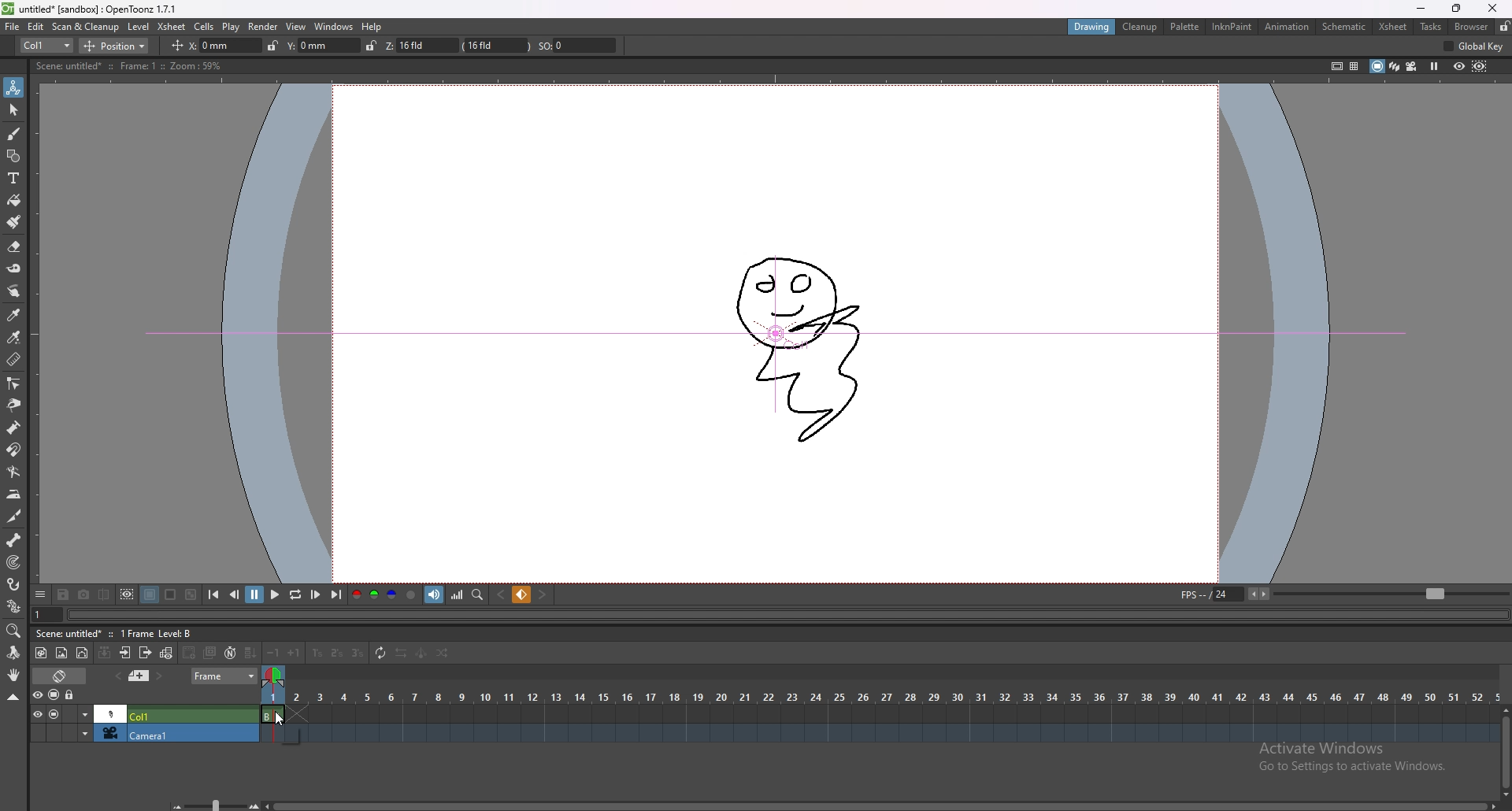 This screenshot has height=811, width=1512. What do you see at coordinates (71, 695) in the screenshot?
I see `lock` at bounding box center [71, 695].